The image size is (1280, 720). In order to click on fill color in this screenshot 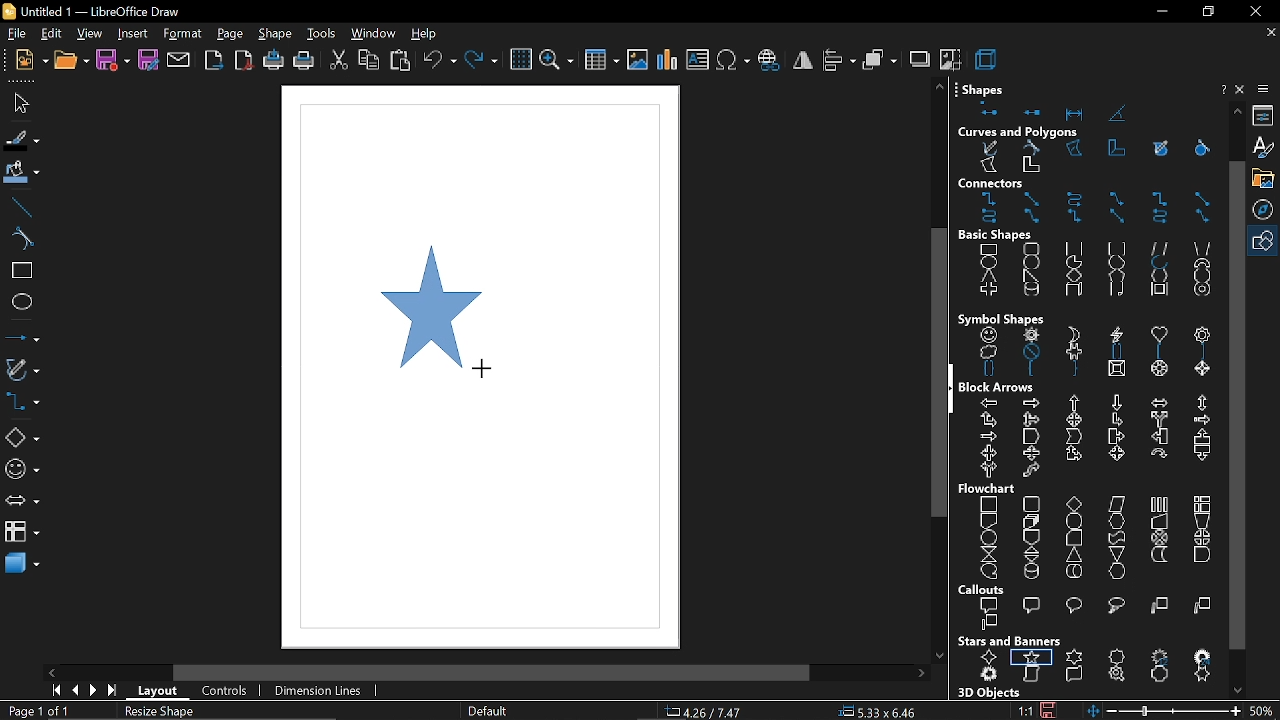, I will do `click(22, 173)`.